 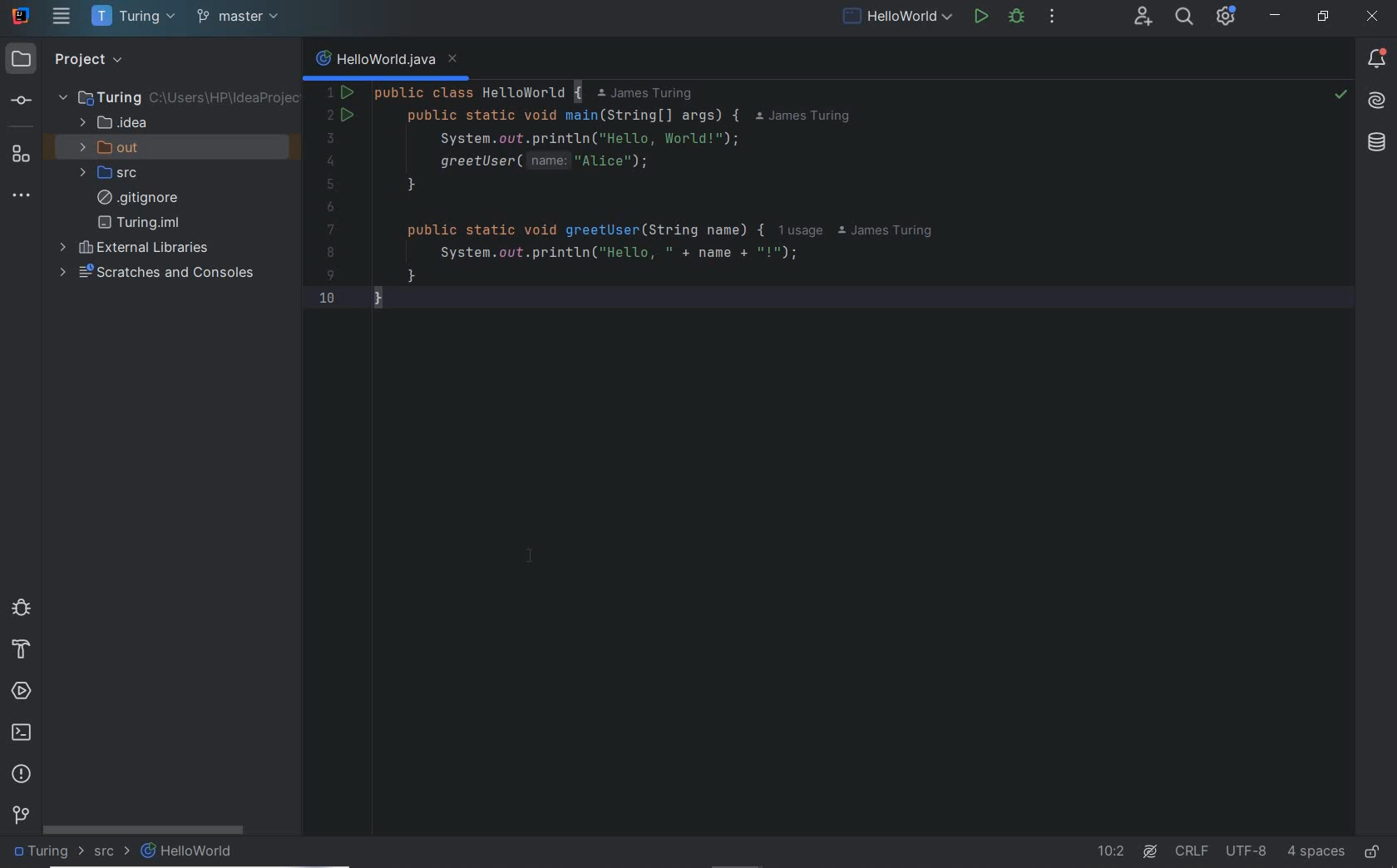 What do you see at coordinates (192, 851) in the screenshot?
I see `HELLOWORLD(FILE NAME)` at bounding box center [192, 851].